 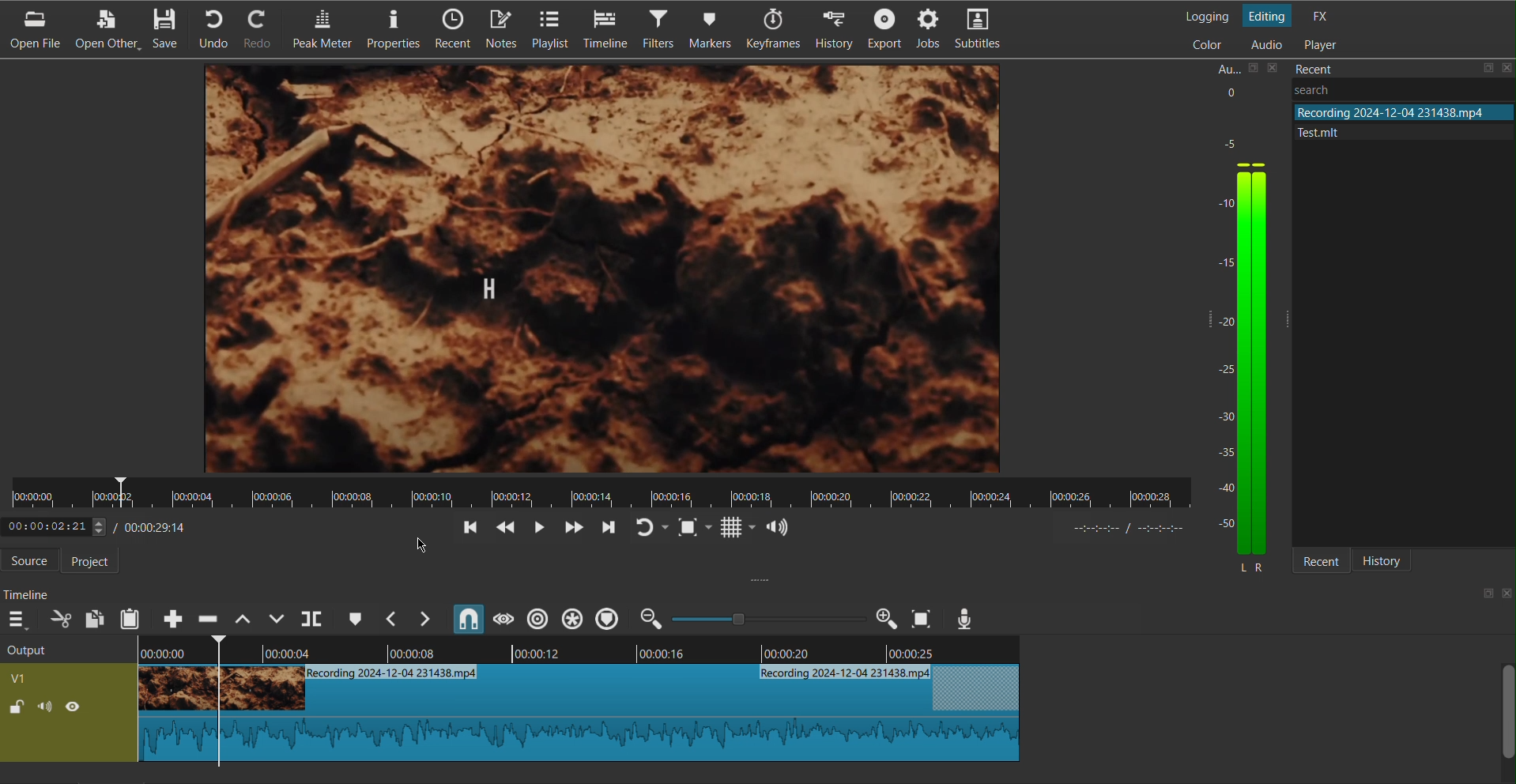 What do you see at coordinates (19, 618) in the screenshot?
I see `More Options` at bounding box center [19, 618].